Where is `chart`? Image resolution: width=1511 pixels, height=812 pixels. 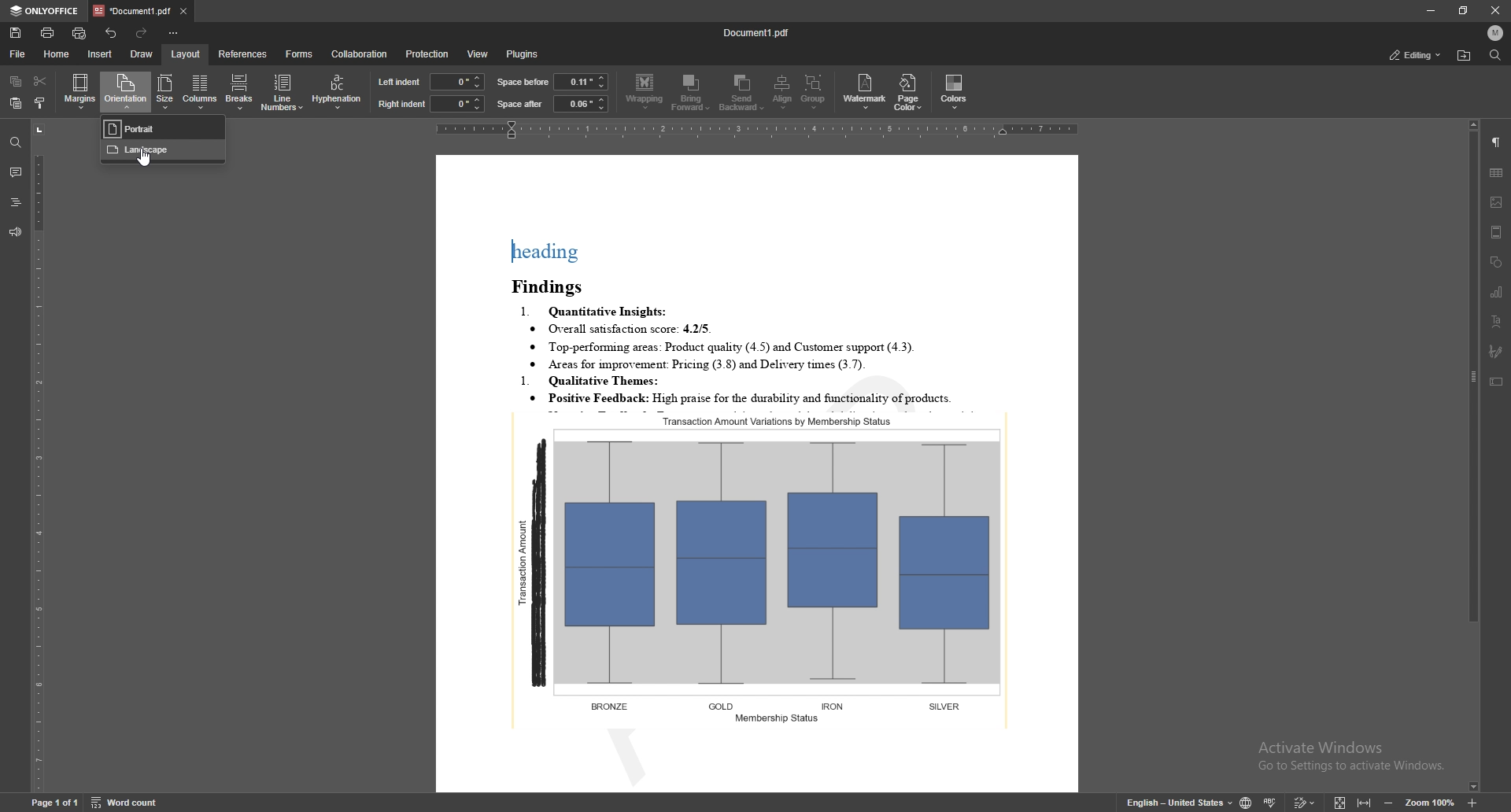
chart is located at coordinates (1497, 292).